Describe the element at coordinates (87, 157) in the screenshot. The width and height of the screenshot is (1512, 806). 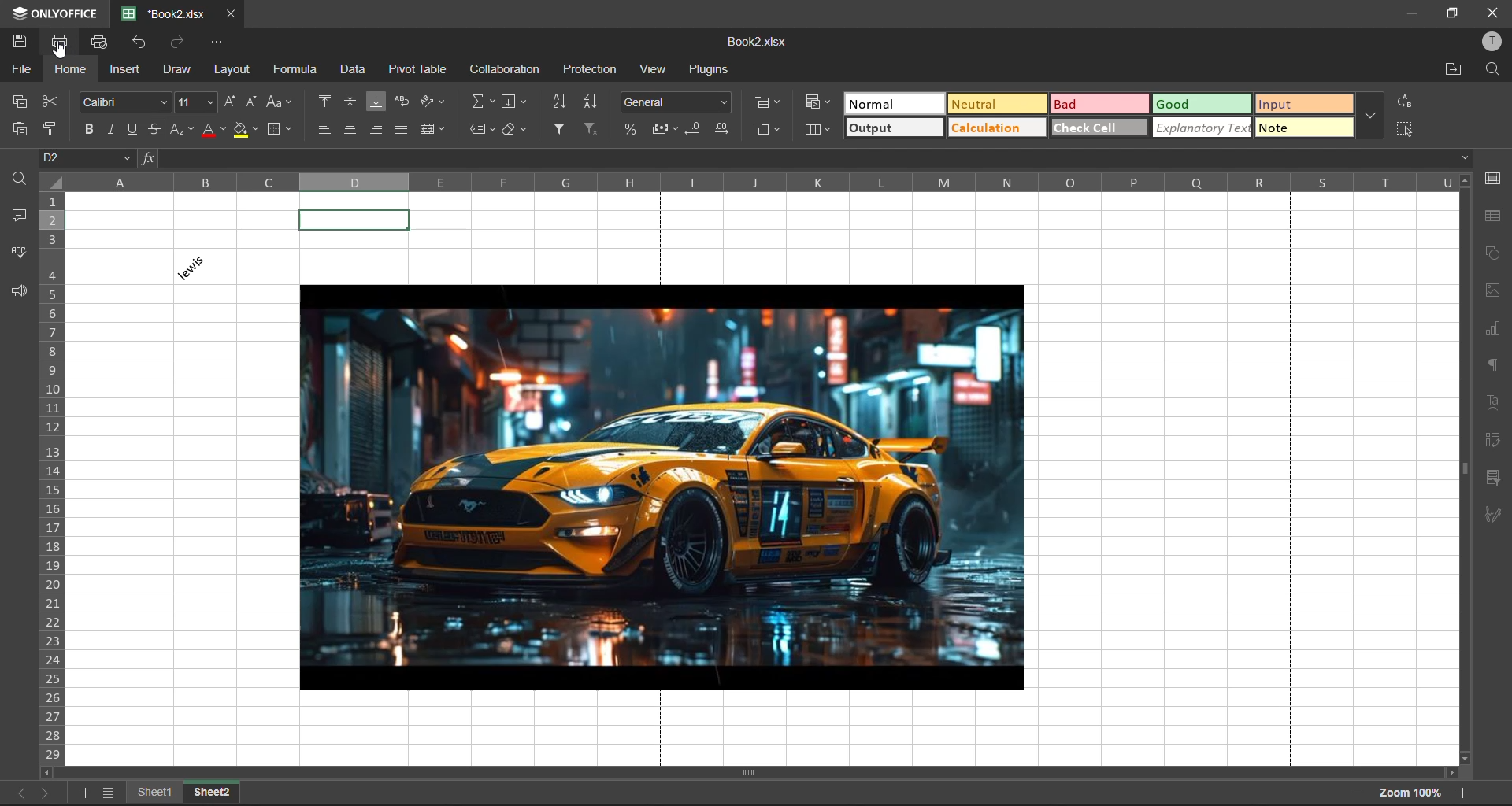
I see `cell address` at that location.